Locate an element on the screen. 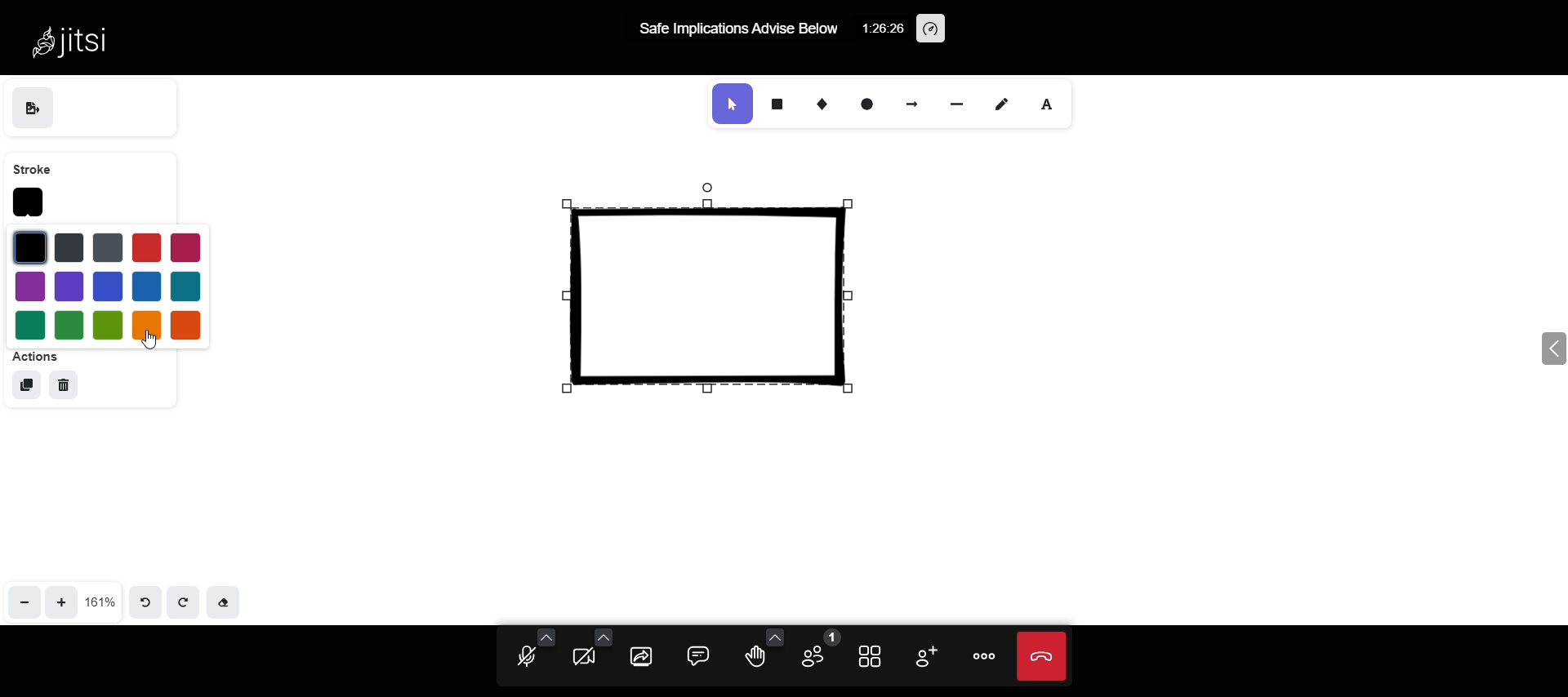 This screenshot has height=697, width=1568. tile view is located at coordinates (869, 657).